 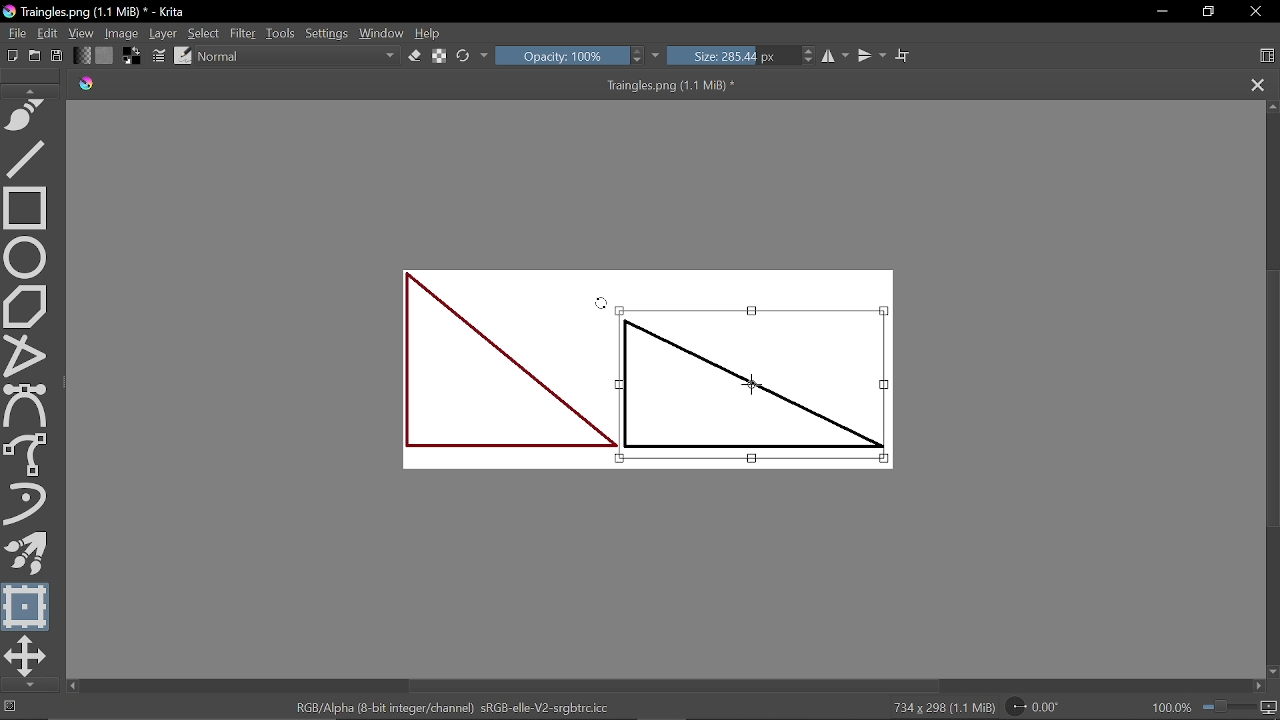 What do you see at coordinates (81, 56) in the screenshot?
I see `Gradient fill` at bounding box center [81, 56].